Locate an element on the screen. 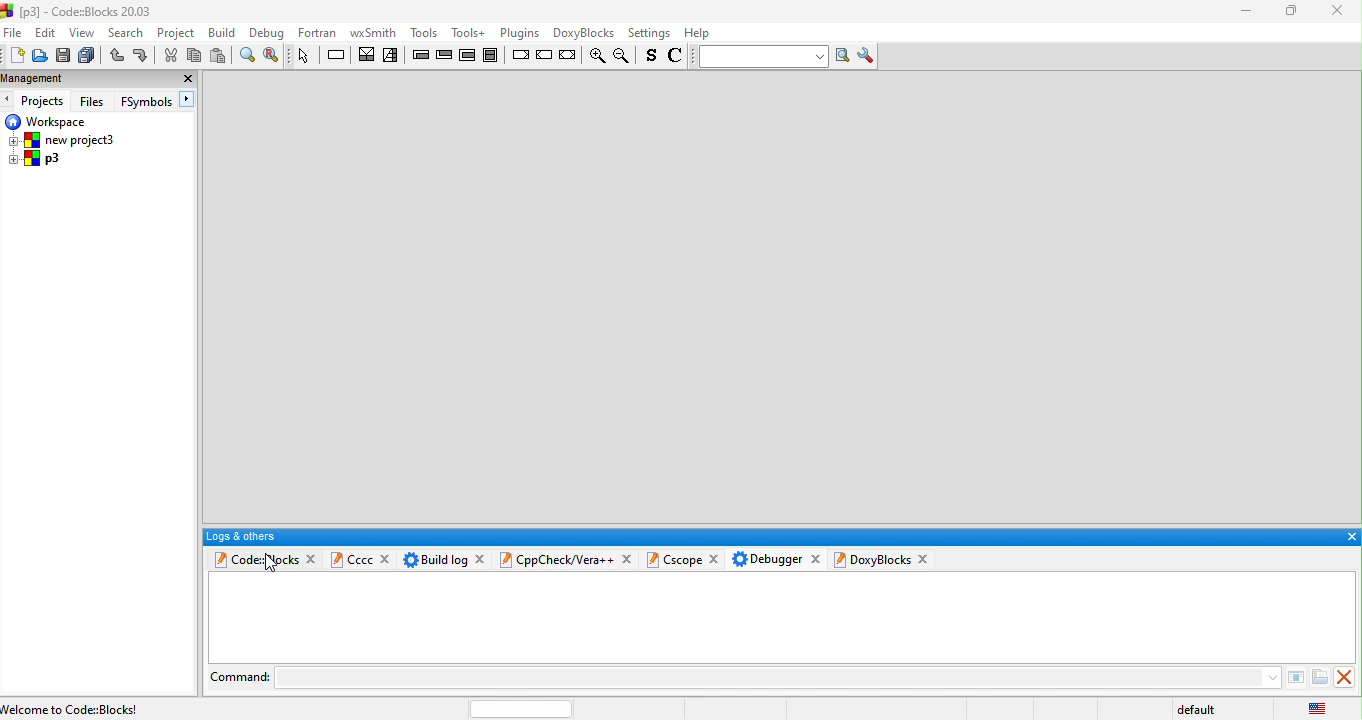  close is located at coordinates (386, 557).